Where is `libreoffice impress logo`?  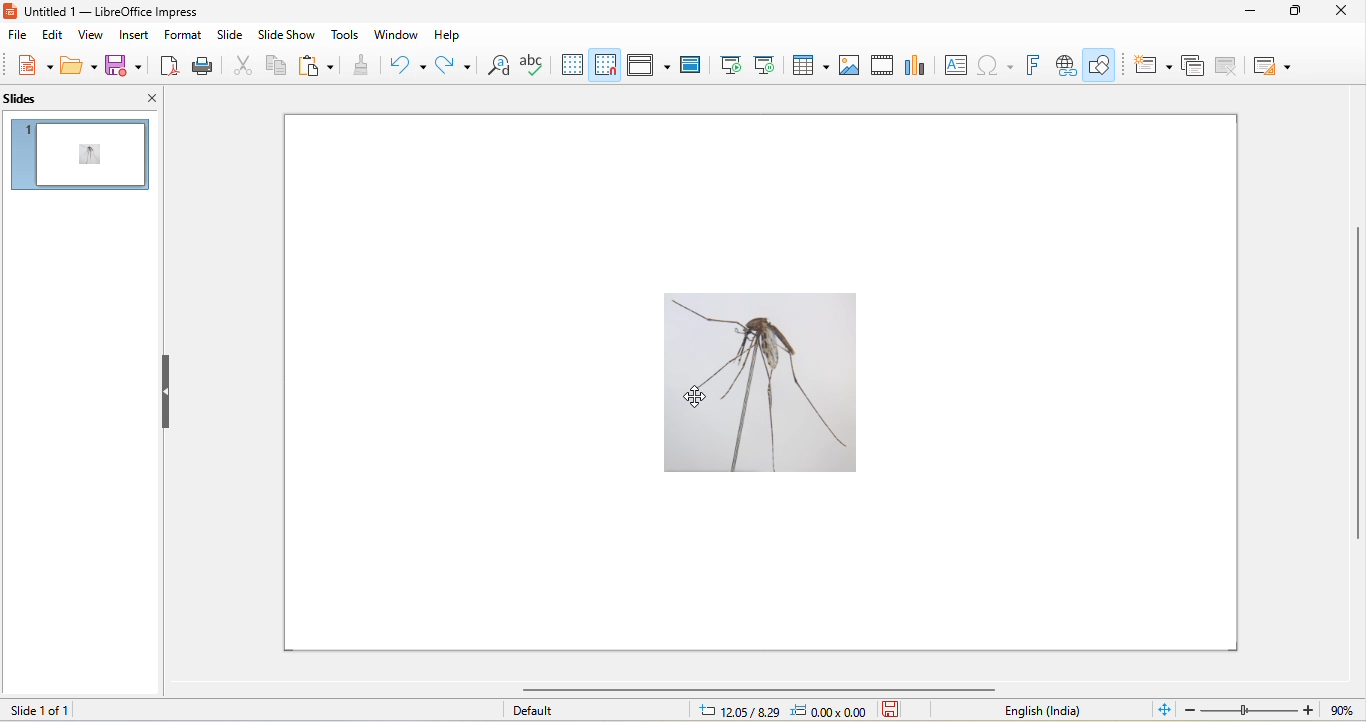
libreoffice impress logo is located at coordinates (9, 11).